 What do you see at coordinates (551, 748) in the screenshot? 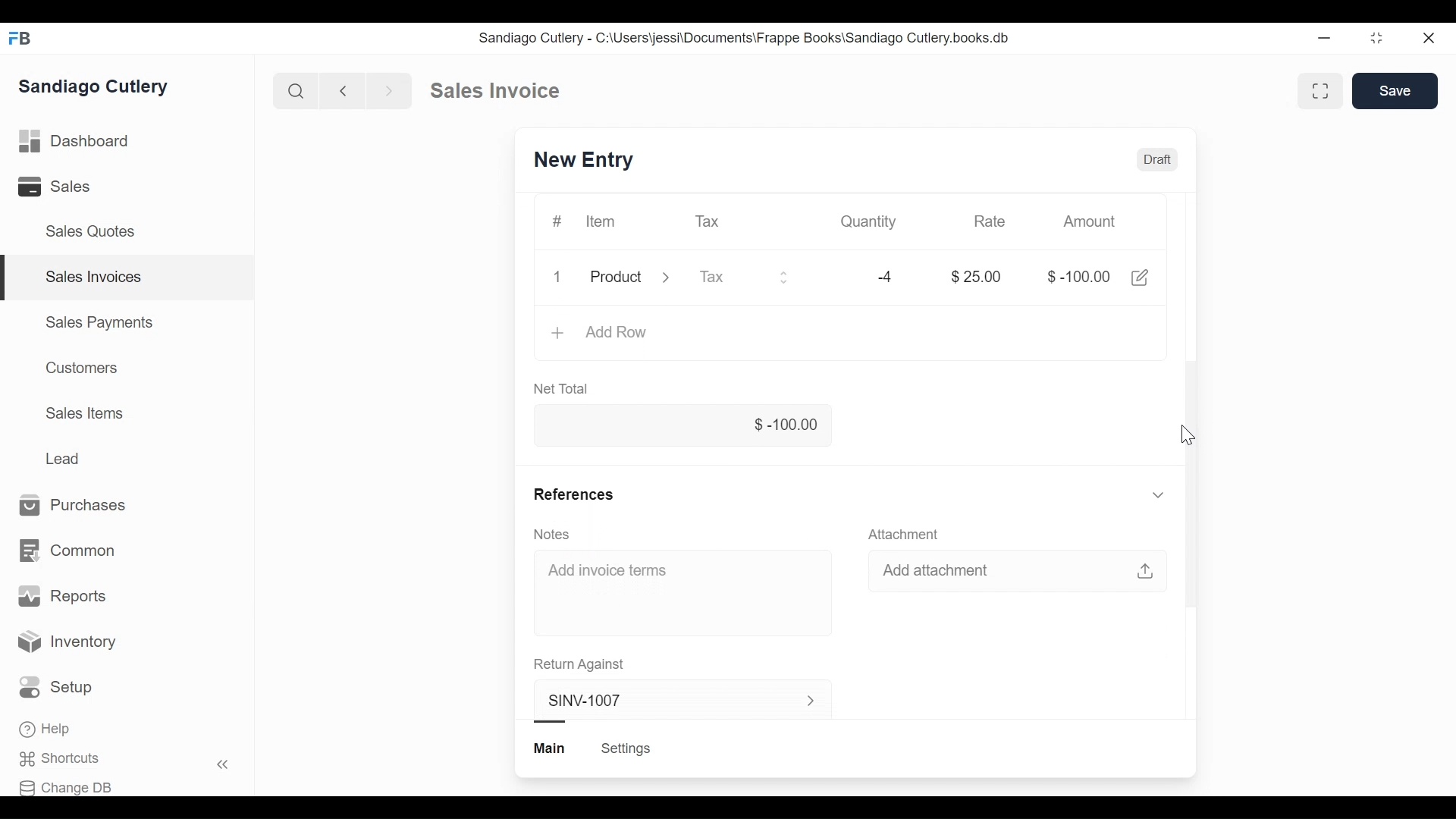
I see `Main` at bounding box center [551, 748].